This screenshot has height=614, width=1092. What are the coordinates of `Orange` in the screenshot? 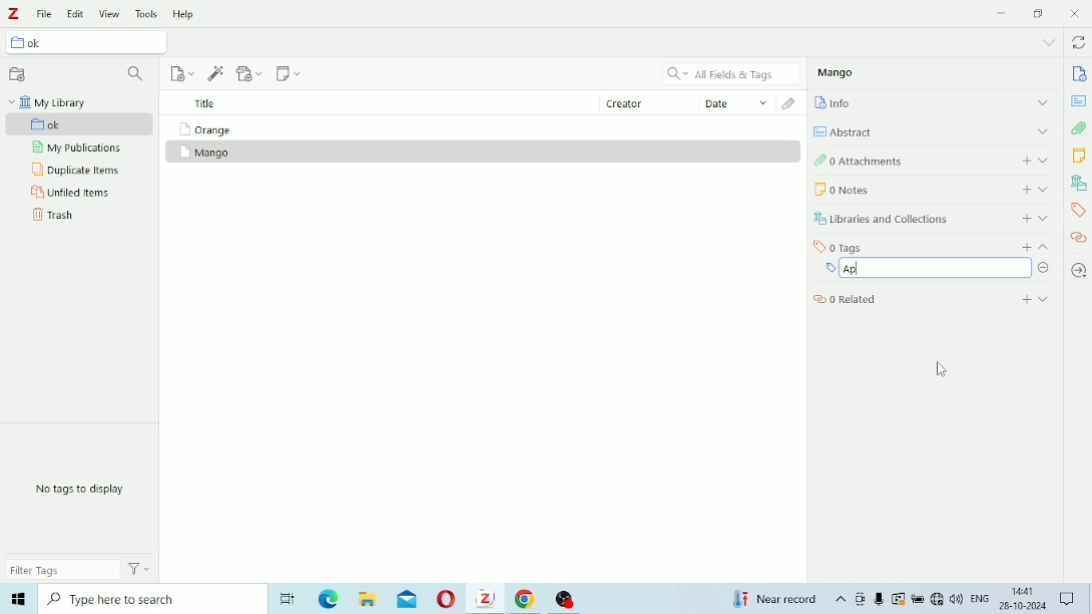 It's located at (203, 129).